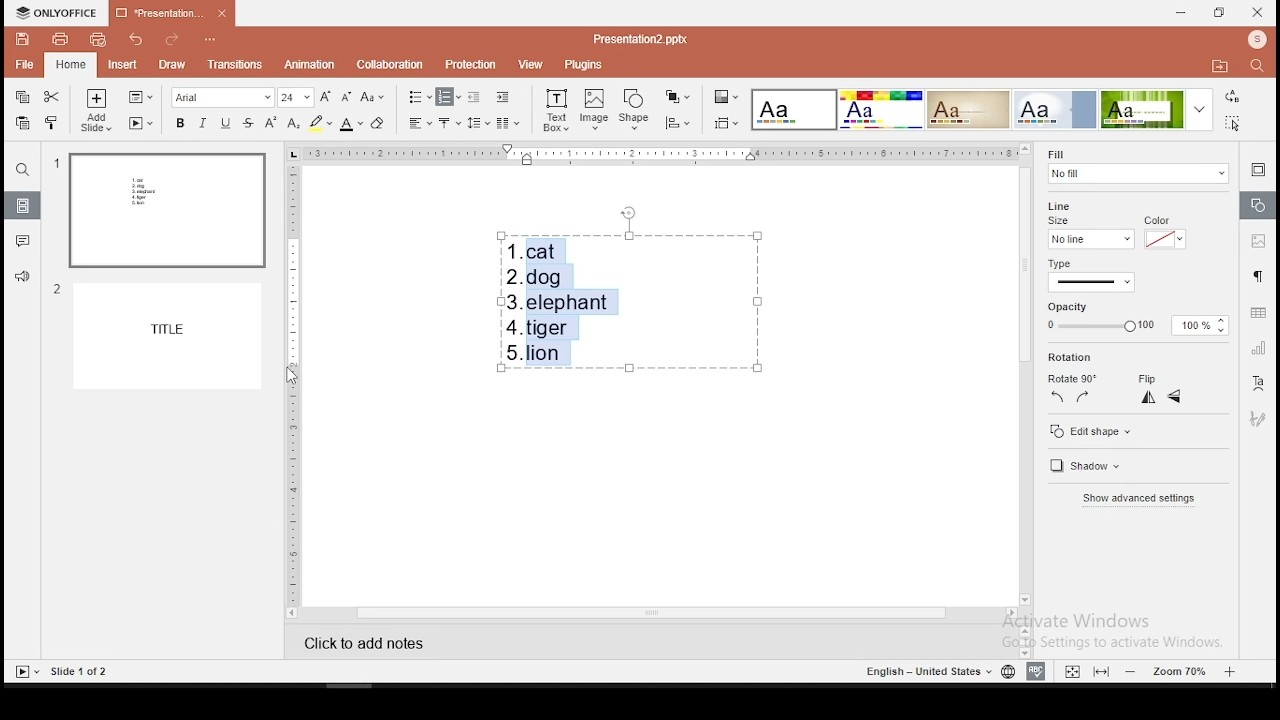 The height and width of the screenshot is (720, 1280). Describe the element at coordinates (141, 122) in the screenshot. I see `start slideshow` at that location.